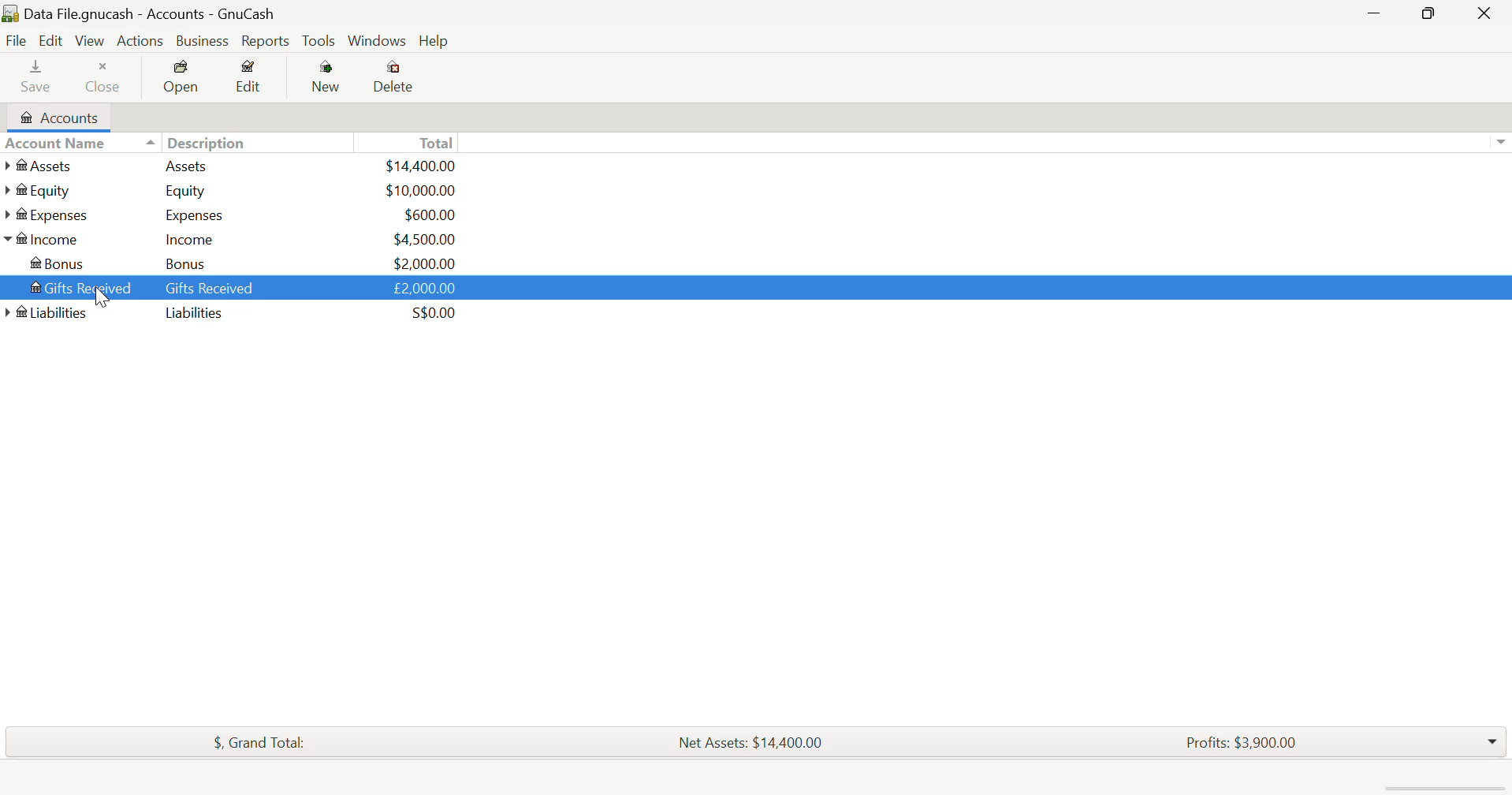  What do you see at coordinates (53, 215) in the screenshot?
I see `Expenses` at bounding box center [53, 215].